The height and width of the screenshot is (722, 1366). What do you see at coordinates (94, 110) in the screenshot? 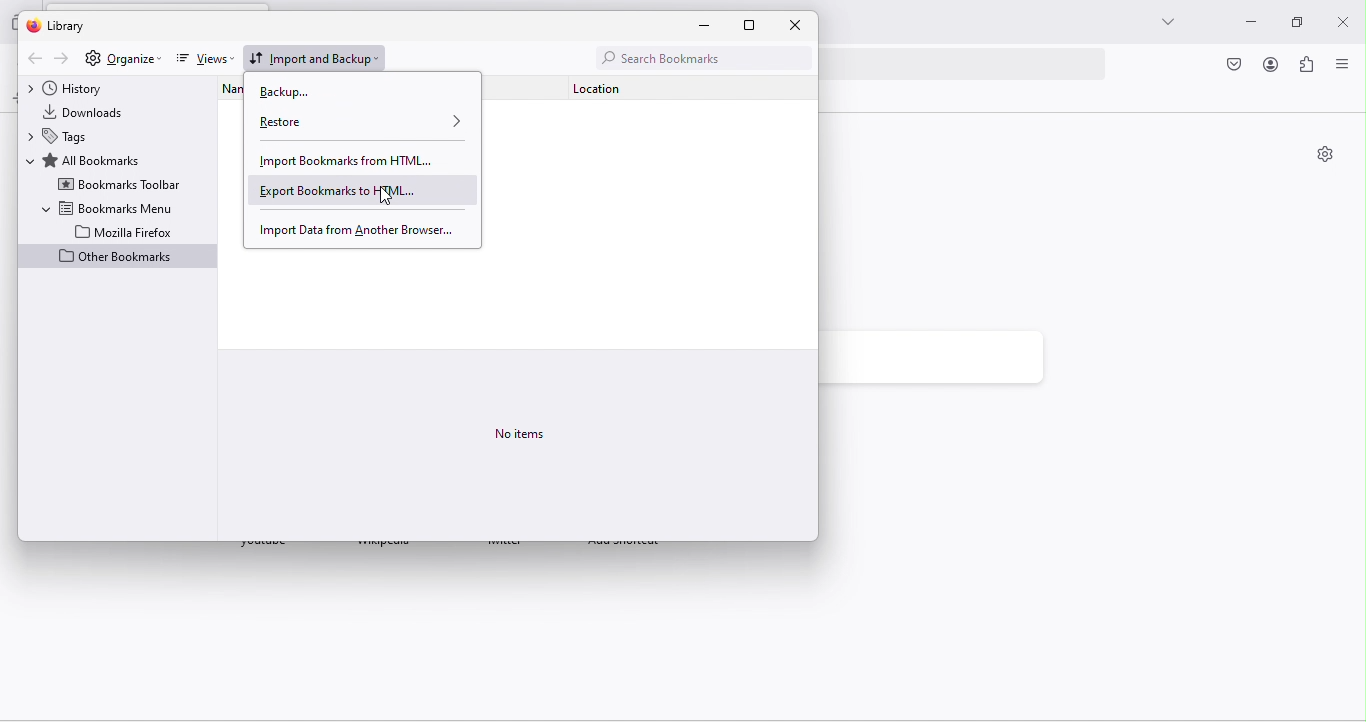
I see `downloads` at bounding box center [94, 110].